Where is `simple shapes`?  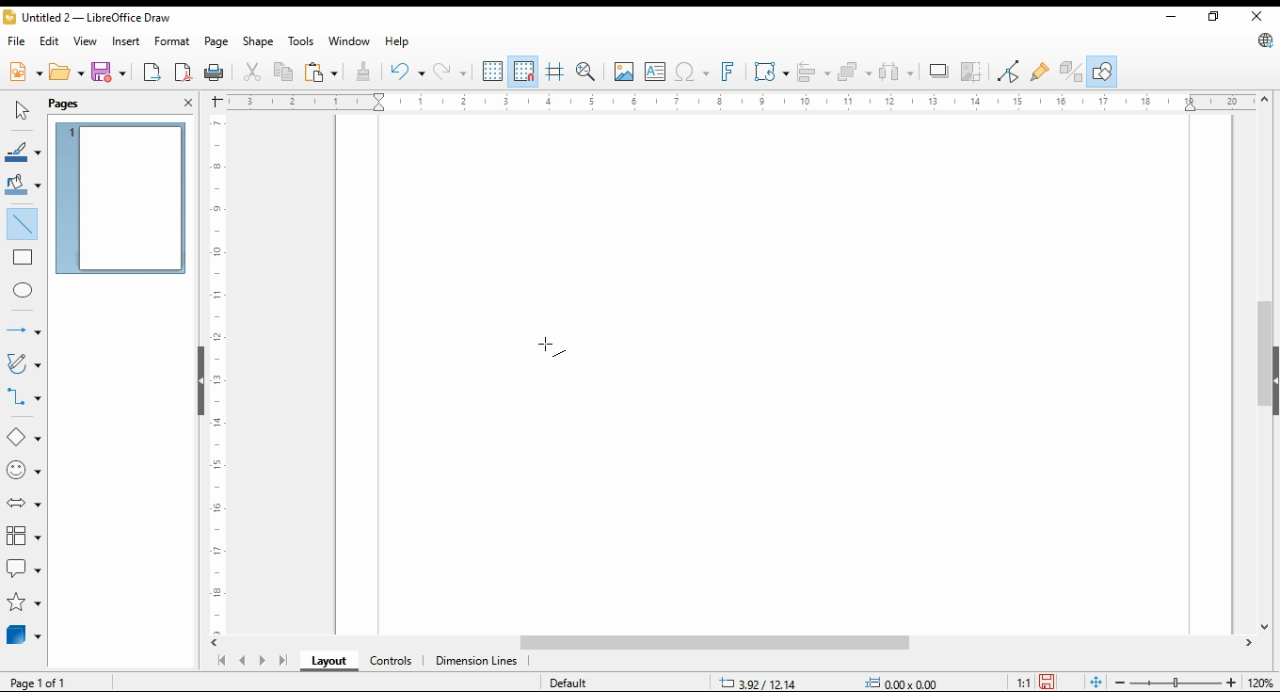
simple shapes is located at coordinates (25, 436).